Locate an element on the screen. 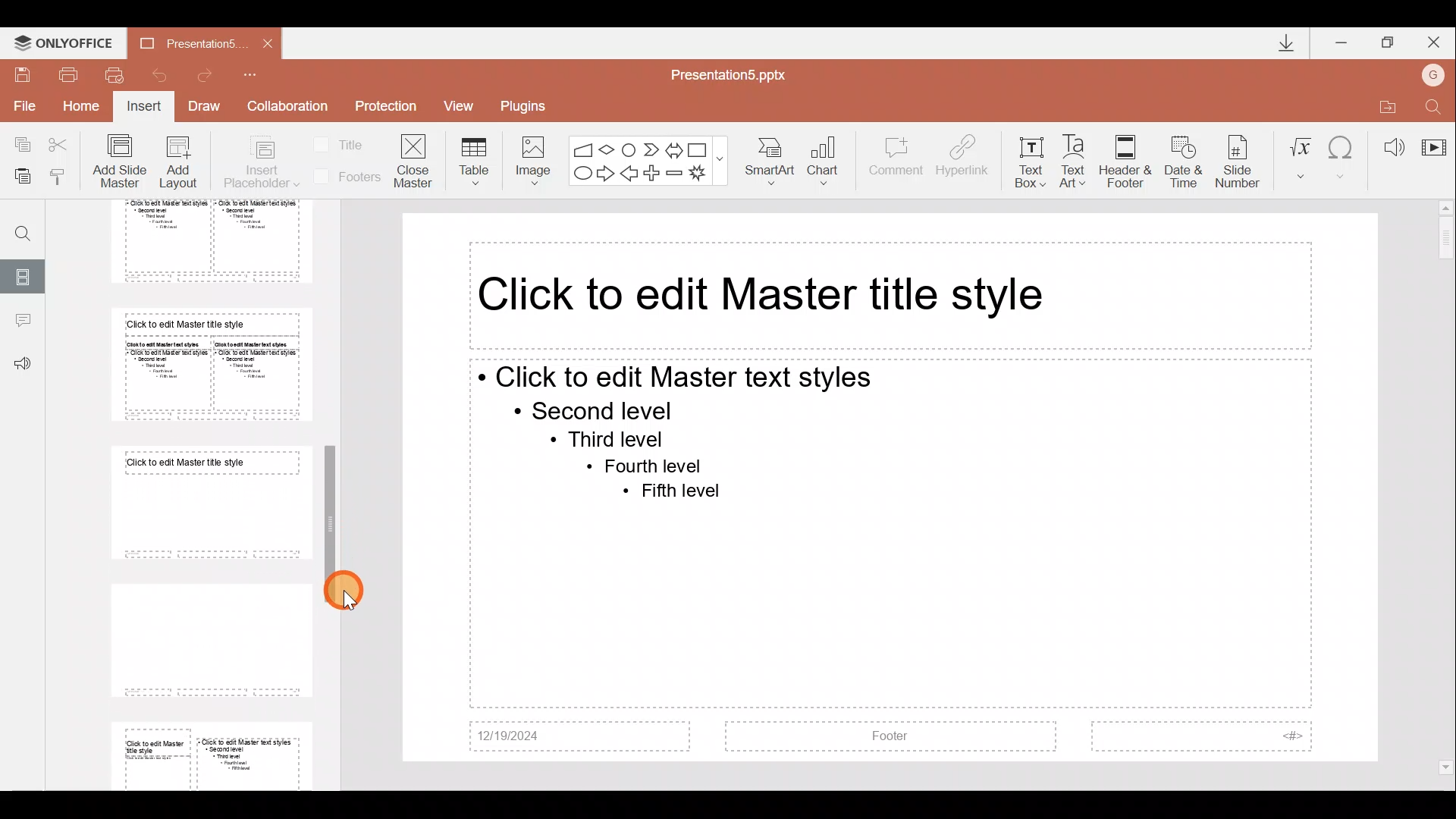  Chart is located at coordinates (833, 162).